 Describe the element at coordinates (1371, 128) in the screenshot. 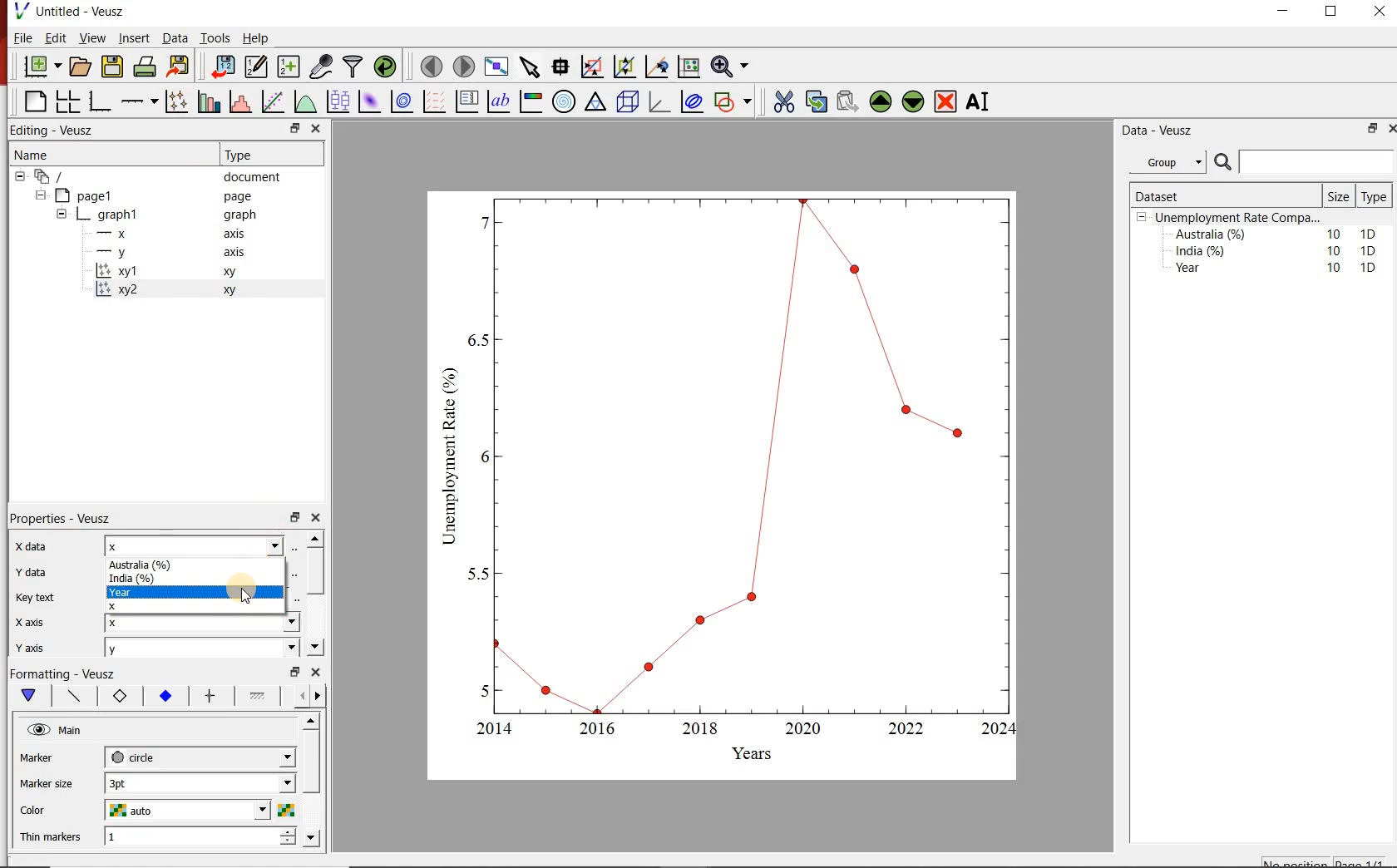

I see `minimise` at that location.